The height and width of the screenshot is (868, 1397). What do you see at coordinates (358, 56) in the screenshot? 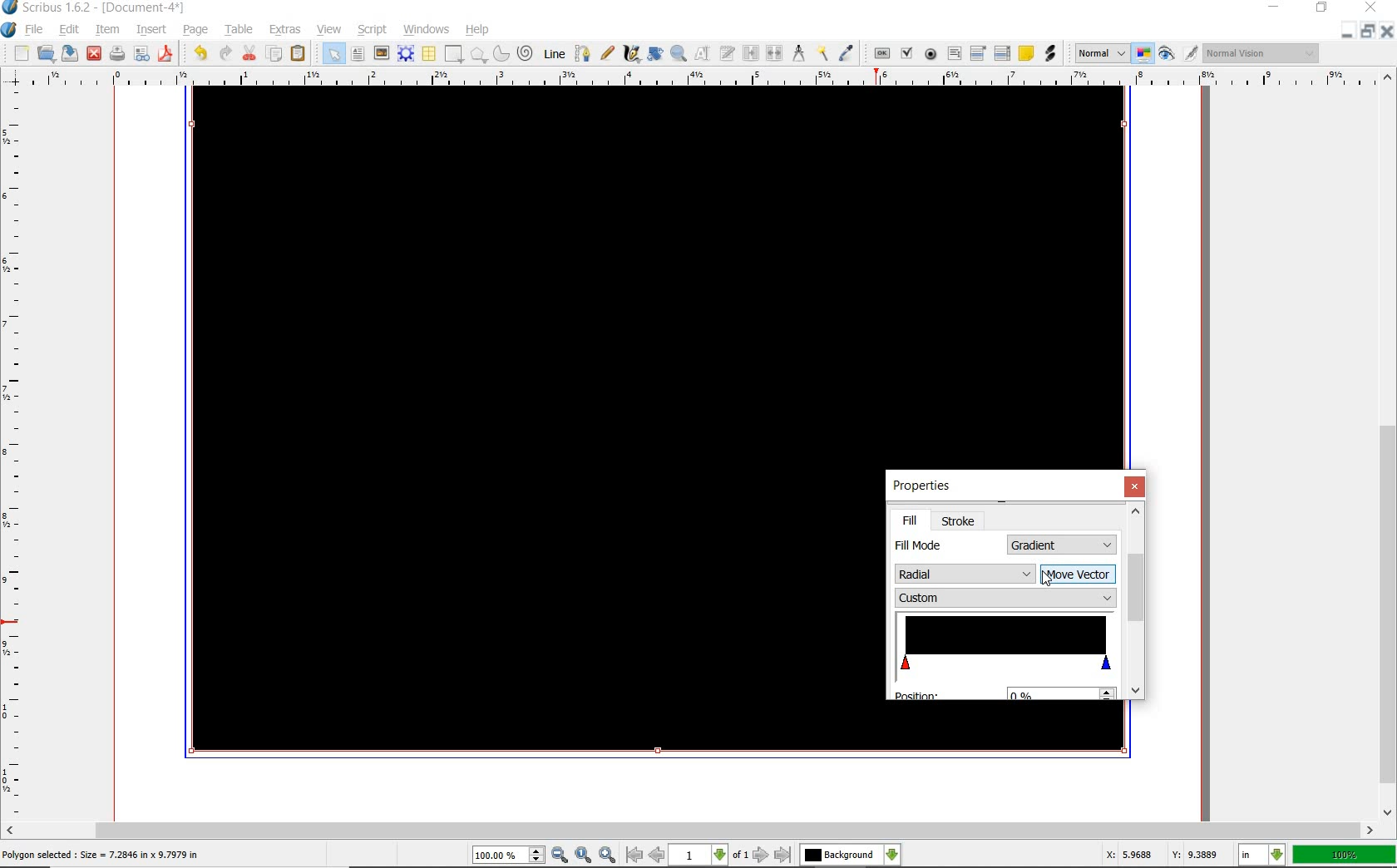
I see `text frame` at bounding box center [358, 56].